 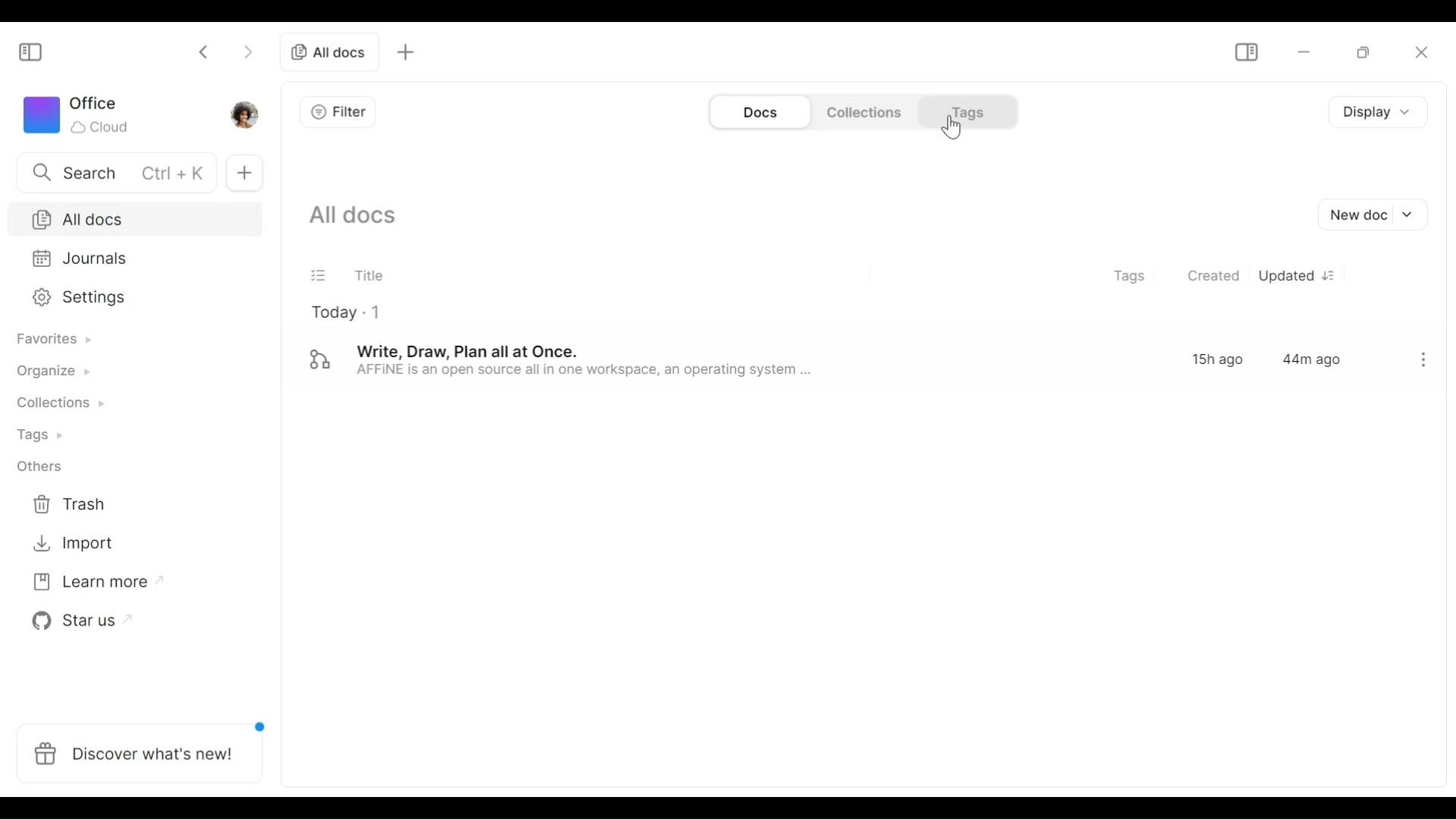 I want to click on Cursor, so click(x=954, y=133).